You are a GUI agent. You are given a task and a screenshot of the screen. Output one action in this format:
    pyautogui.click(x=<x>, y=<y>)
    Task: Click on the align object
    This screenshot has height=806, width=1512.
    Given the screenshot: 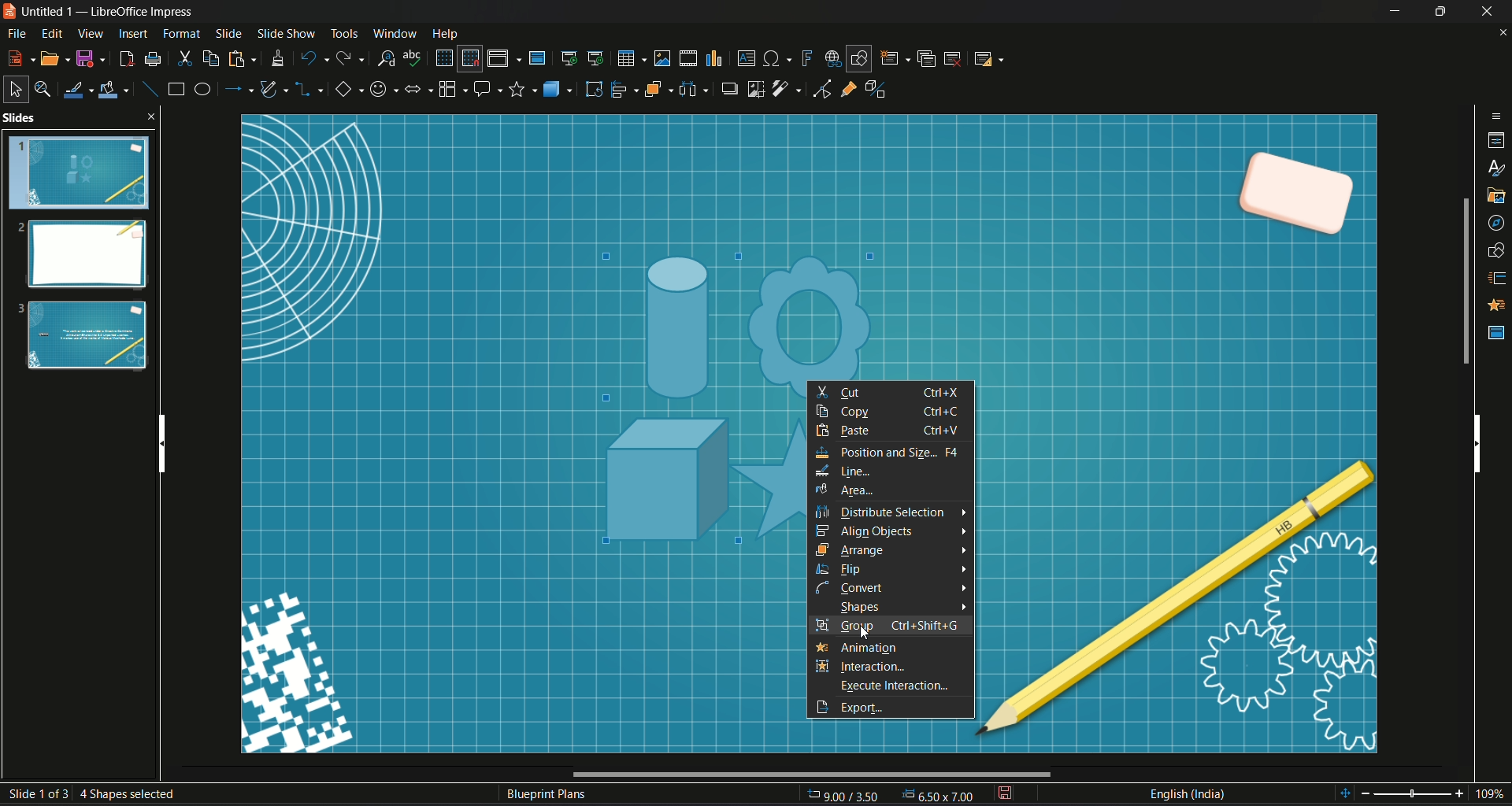 What is the action you would take?
    pyautogui.click(x=624, y=89)
    